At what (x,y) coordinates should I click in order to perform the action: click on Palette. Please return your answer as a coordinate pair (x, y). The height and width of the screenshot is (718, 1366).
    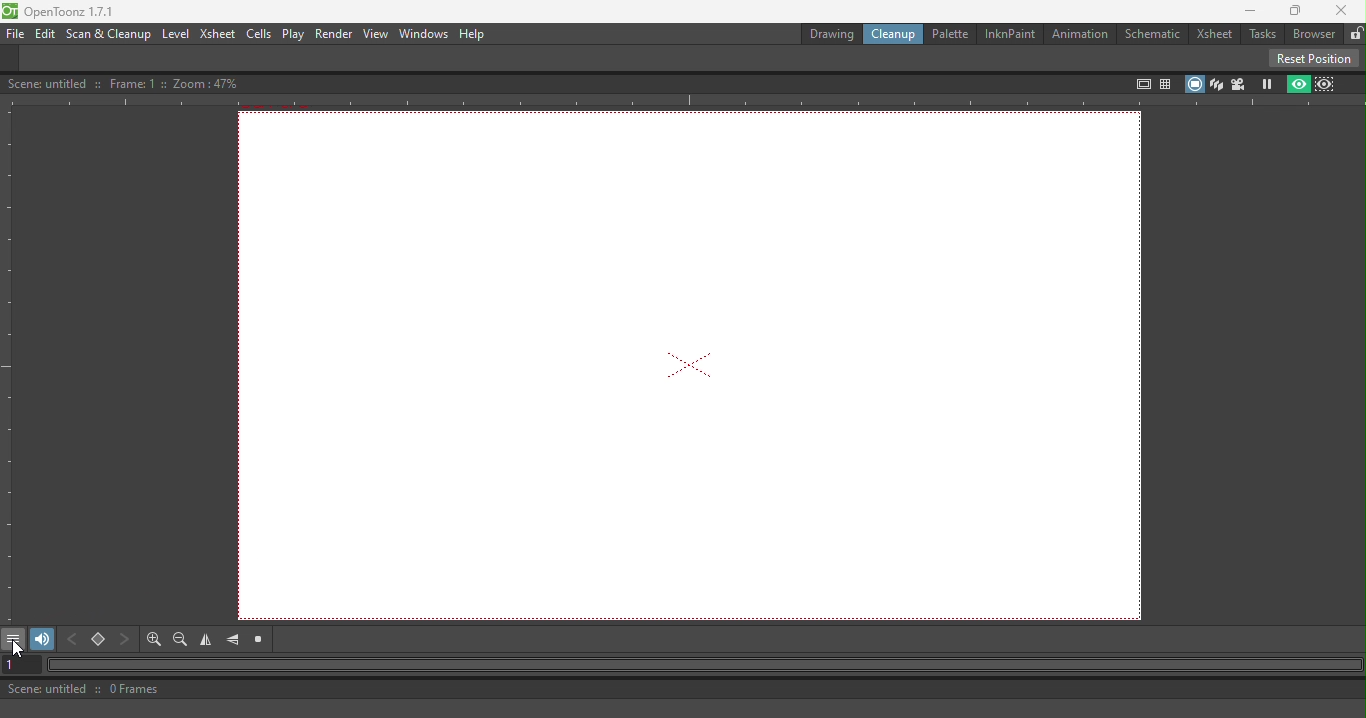
    Looking at the image, I should click on (948, 33).